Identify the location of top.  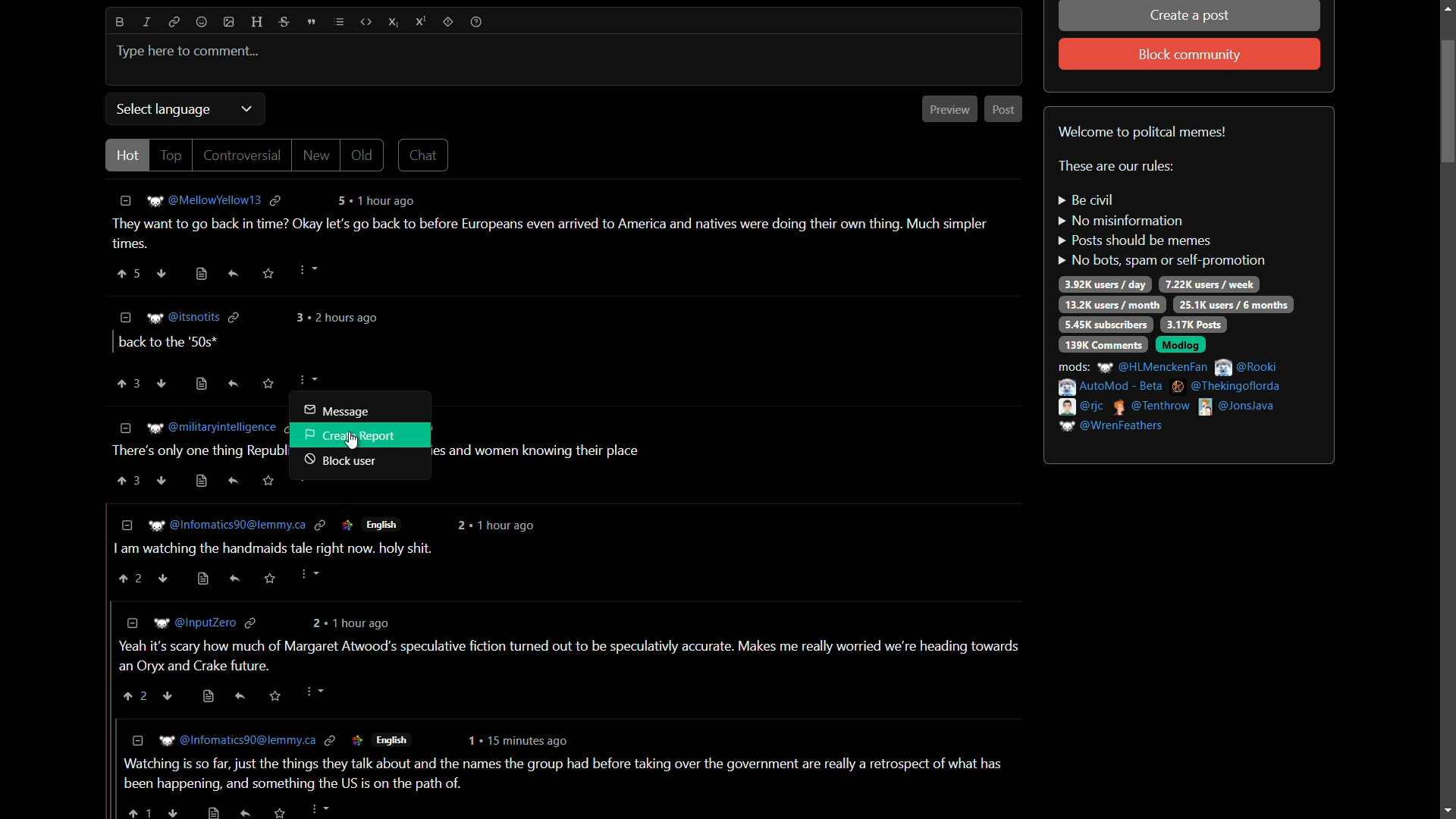
(172, 155).